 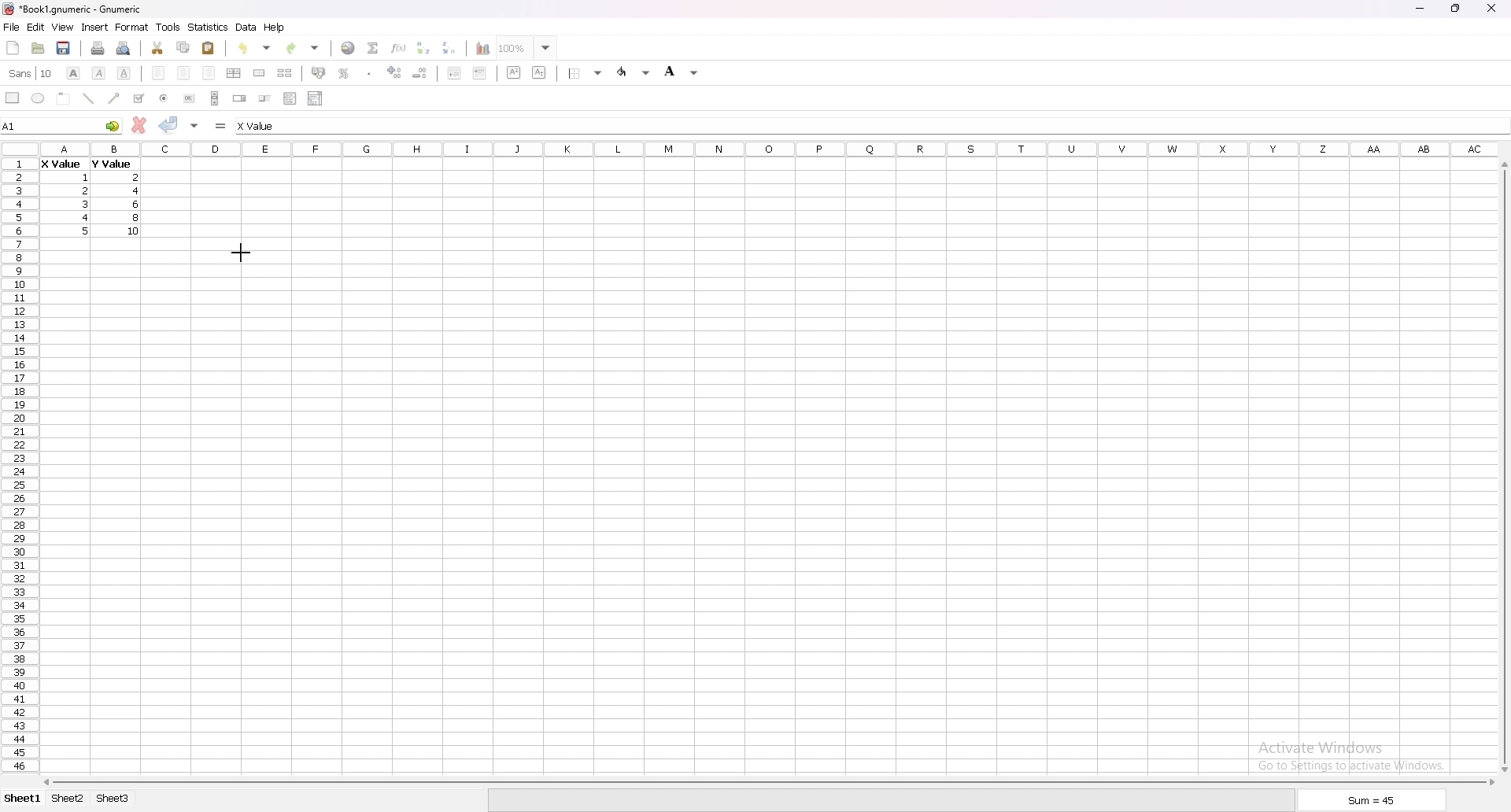 I want to click on scroll bar, so click(x=215, y=98).